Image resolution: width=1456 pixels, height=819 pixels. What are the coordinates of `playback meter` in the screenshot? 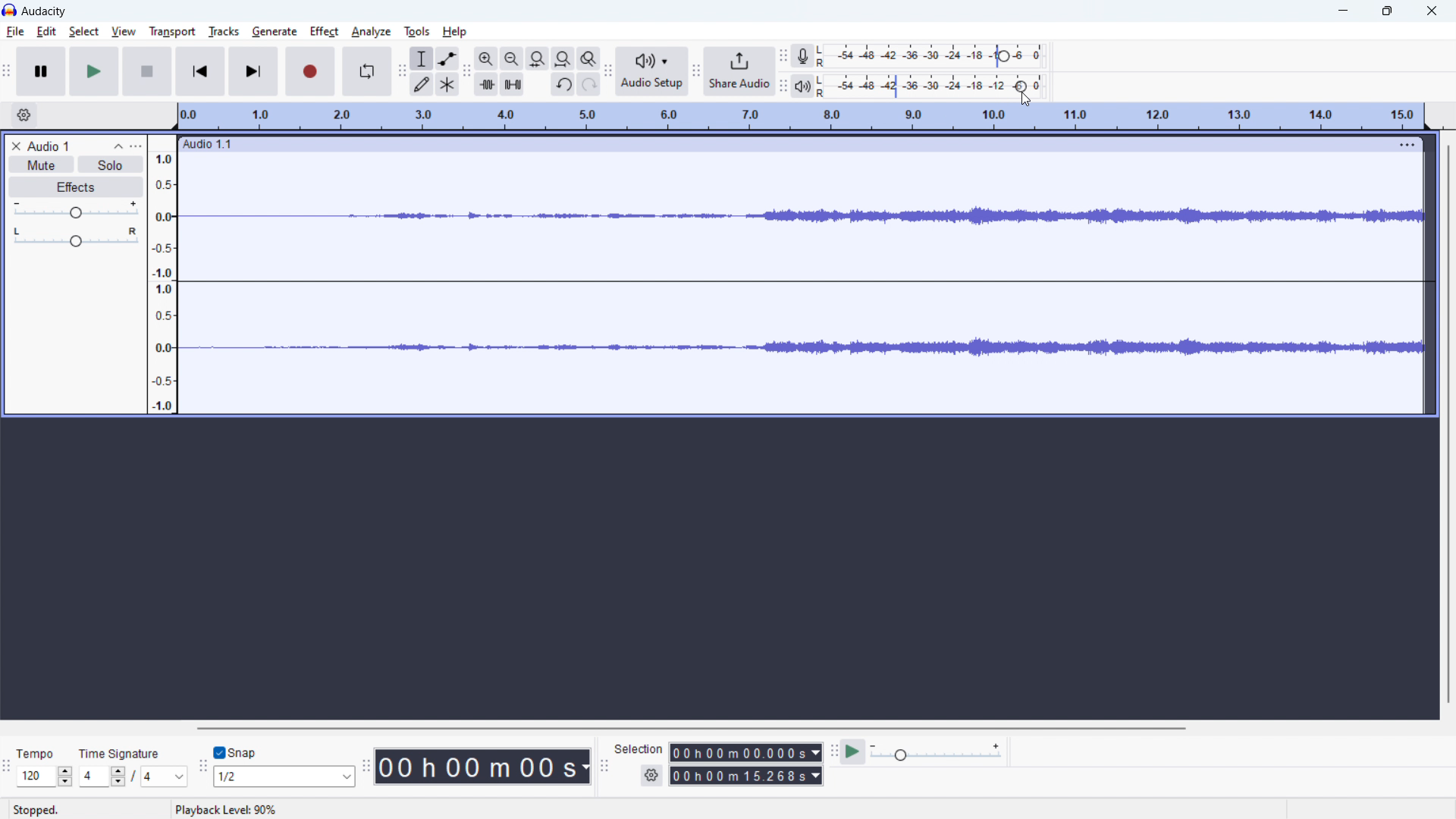 It's located at (803, 85).